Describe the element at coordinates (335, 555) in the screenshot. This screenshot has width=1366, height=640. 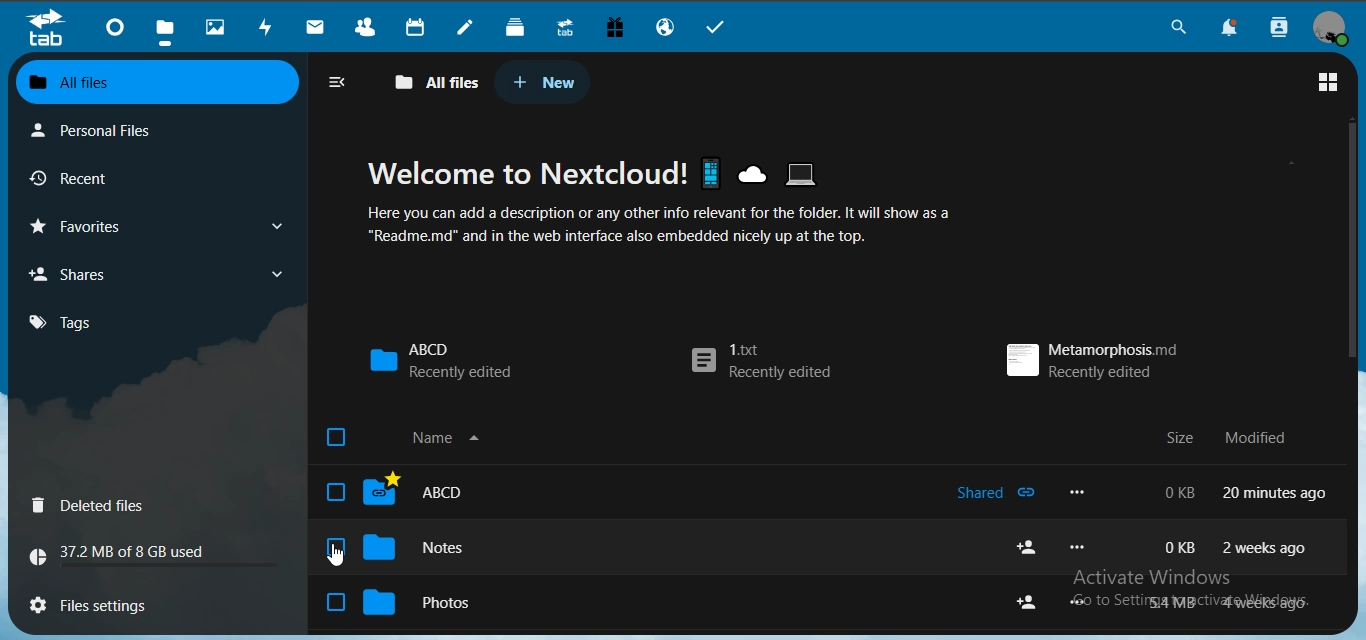
I see `cursor` at that location.